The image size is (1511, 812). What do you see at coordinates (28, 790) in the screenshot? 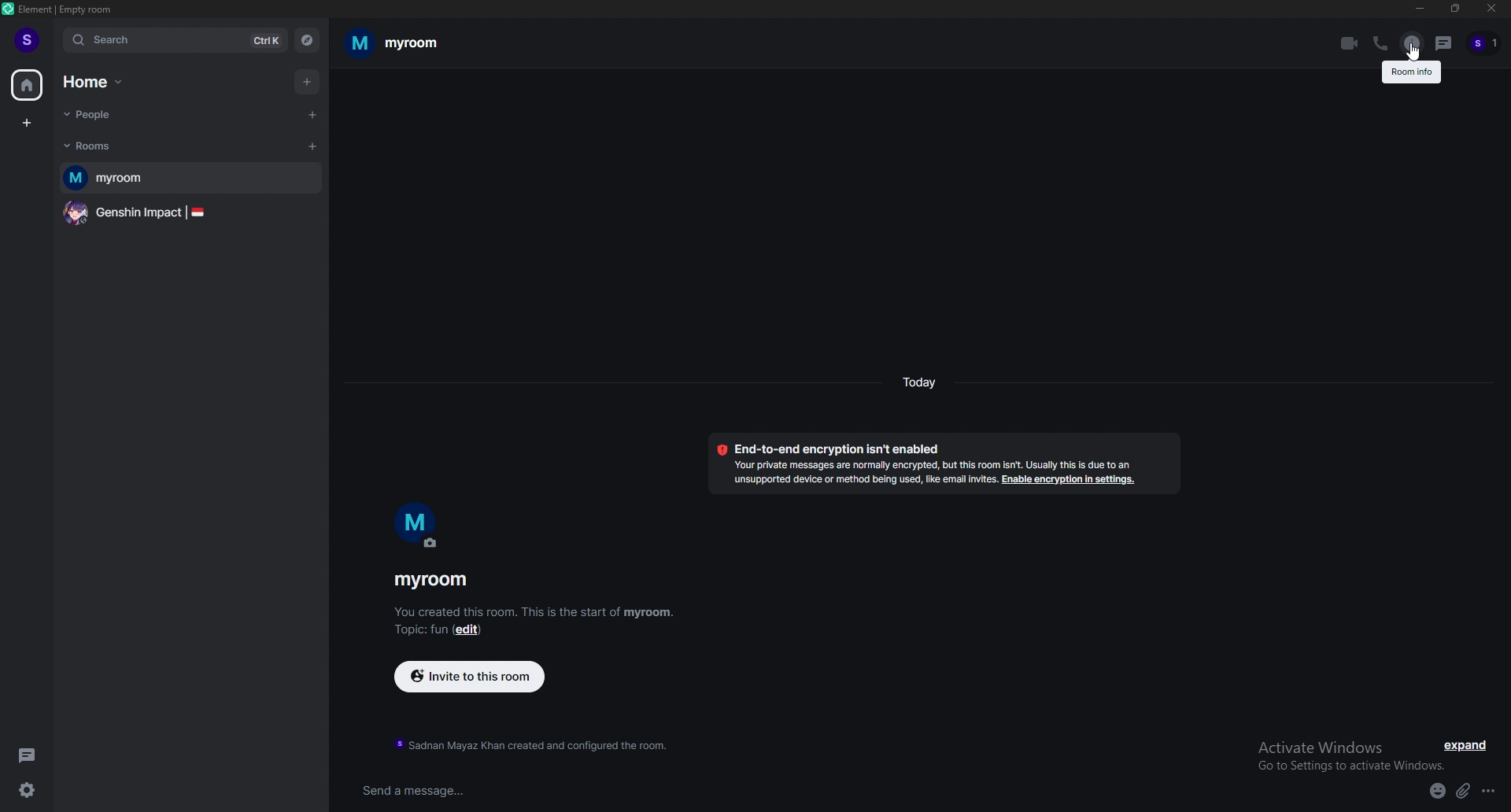
I see `quick settings` at bounding box center [28, 790].